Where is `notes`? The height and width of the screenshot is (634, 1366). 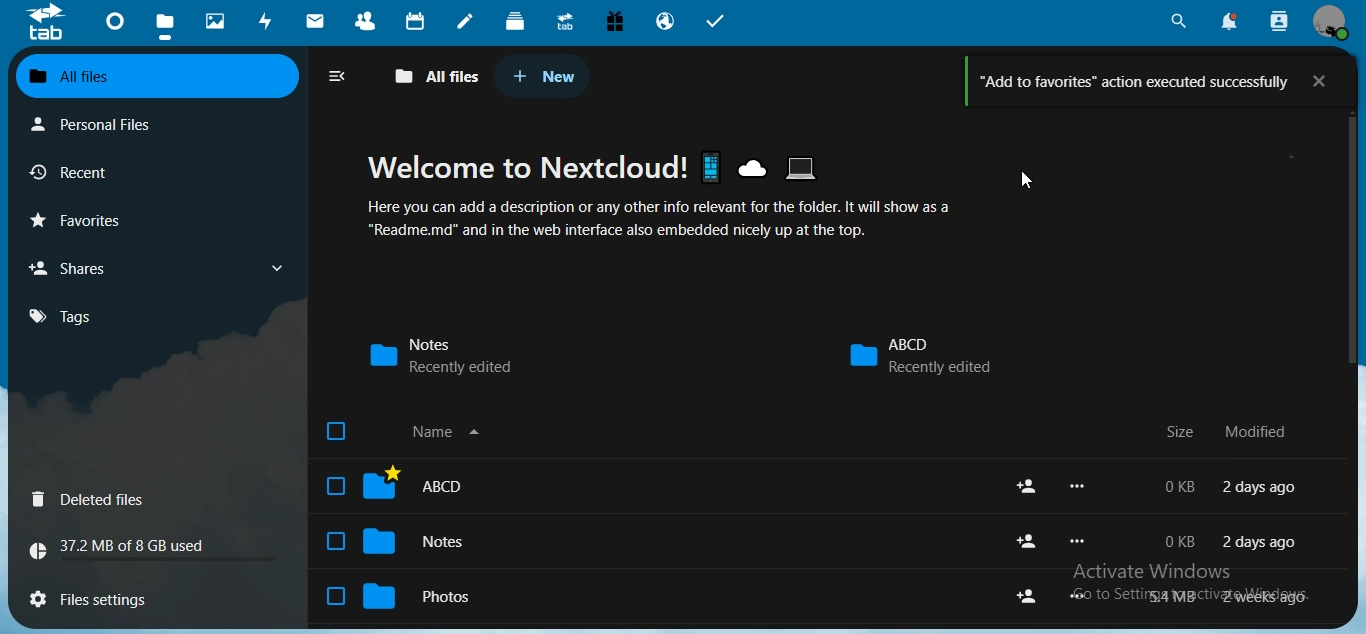
notes is located at coordinates (400, 541).